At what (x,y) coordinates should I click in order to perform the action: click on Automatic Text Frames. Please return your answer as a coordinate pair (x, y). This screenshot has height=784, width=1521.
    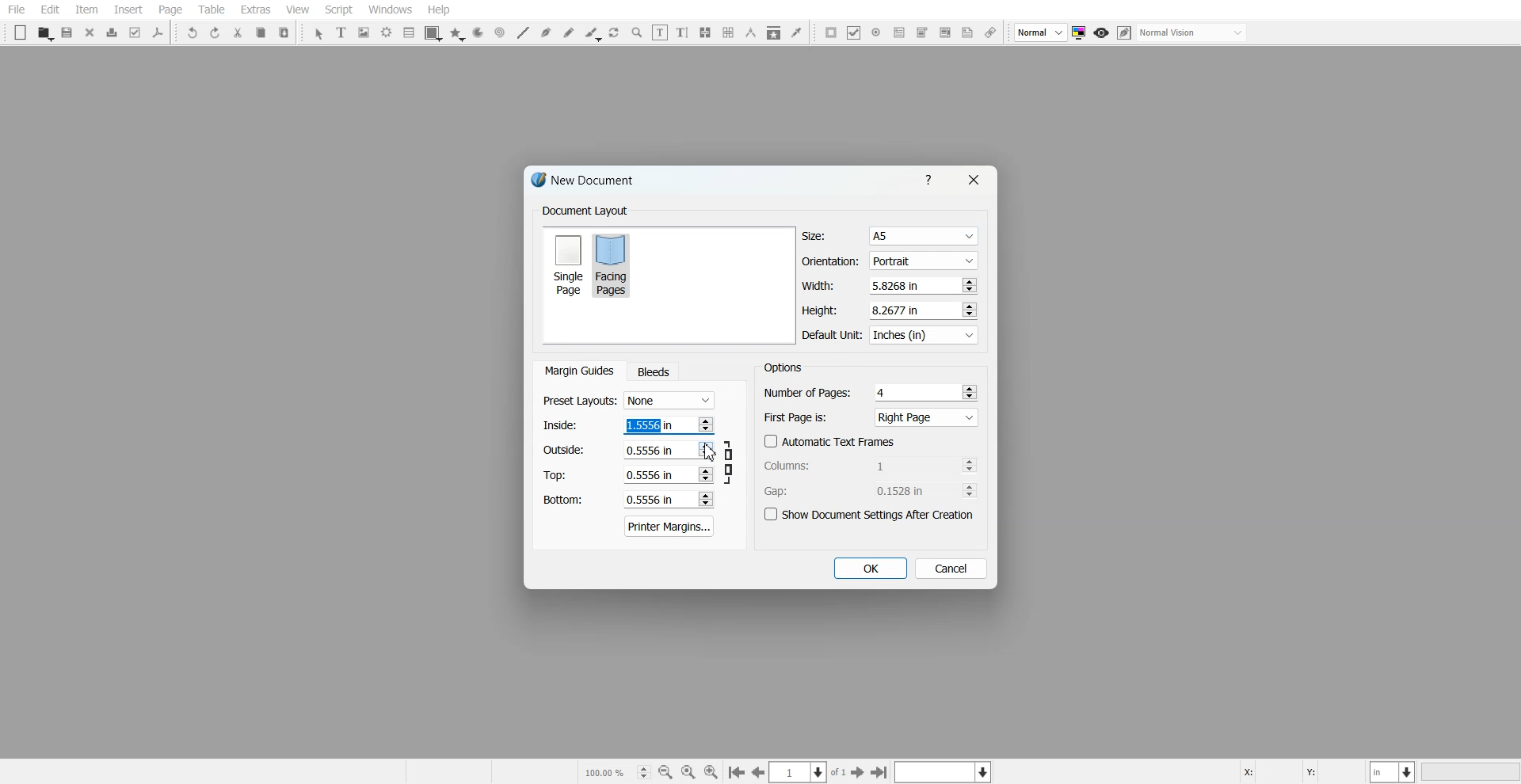
    Looking at the image, I should click on (830, 441).